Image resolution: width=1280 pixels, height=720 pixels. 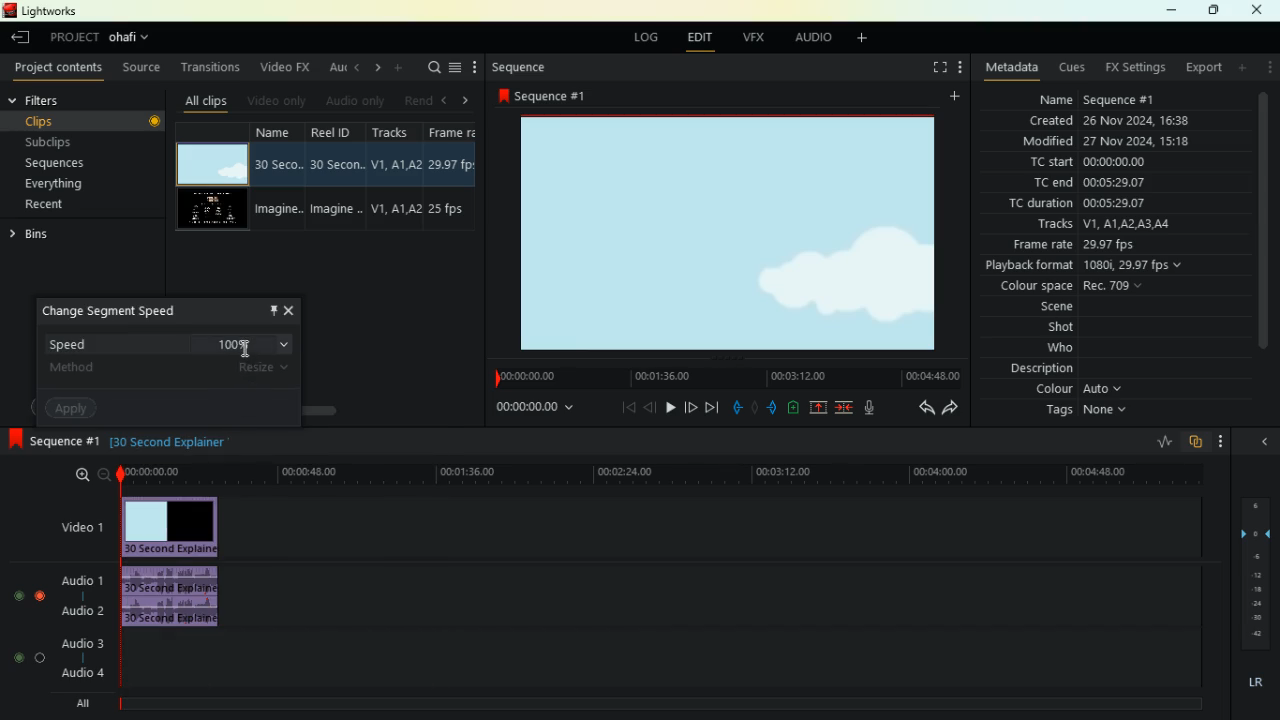 What do you see at coordinates (1112, 161) in the screenshot?
I see `tc start` at bounding box center [1112, 161].